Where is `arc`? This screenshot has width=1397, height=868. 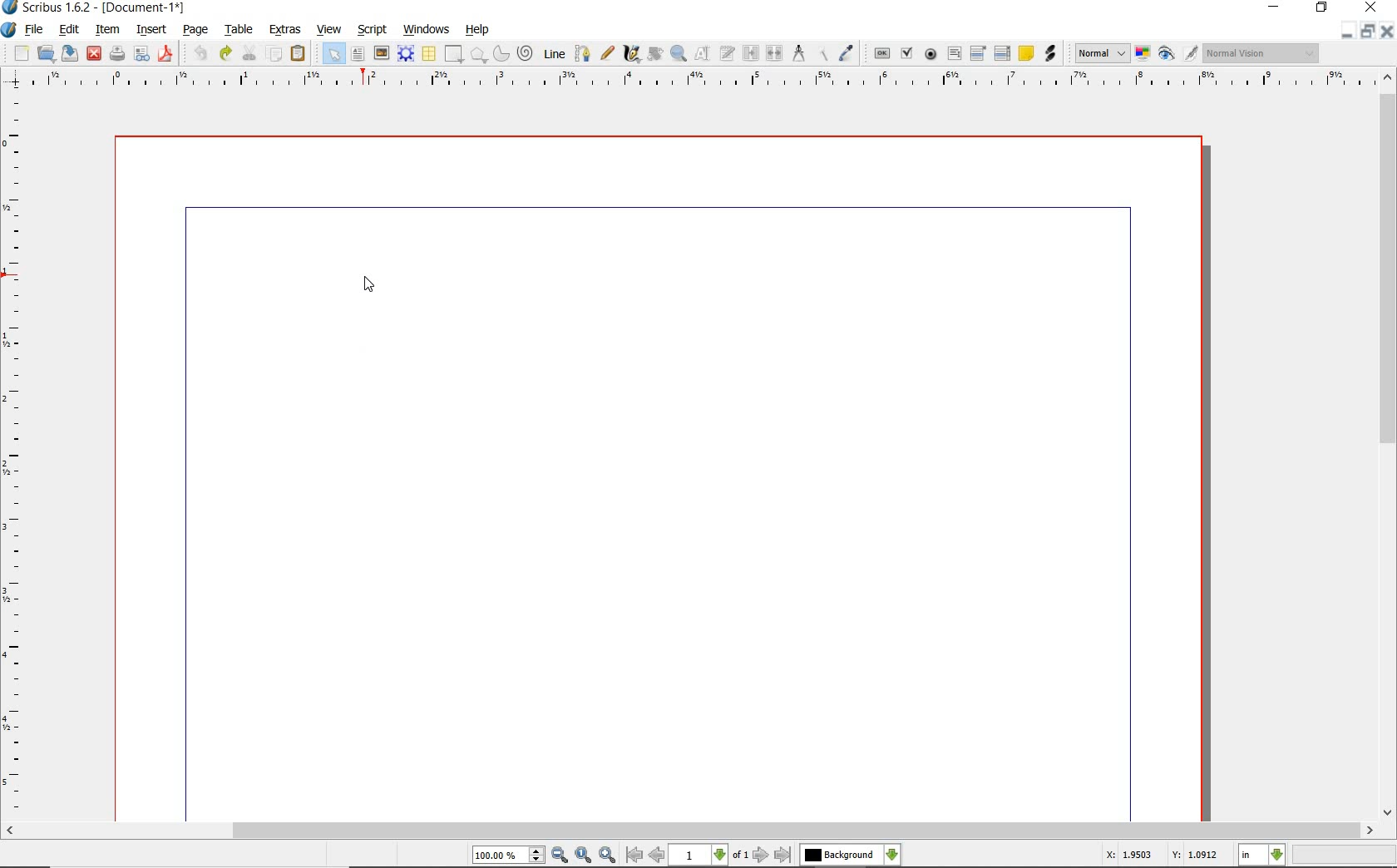
arc is located at coordinates (503, 55).